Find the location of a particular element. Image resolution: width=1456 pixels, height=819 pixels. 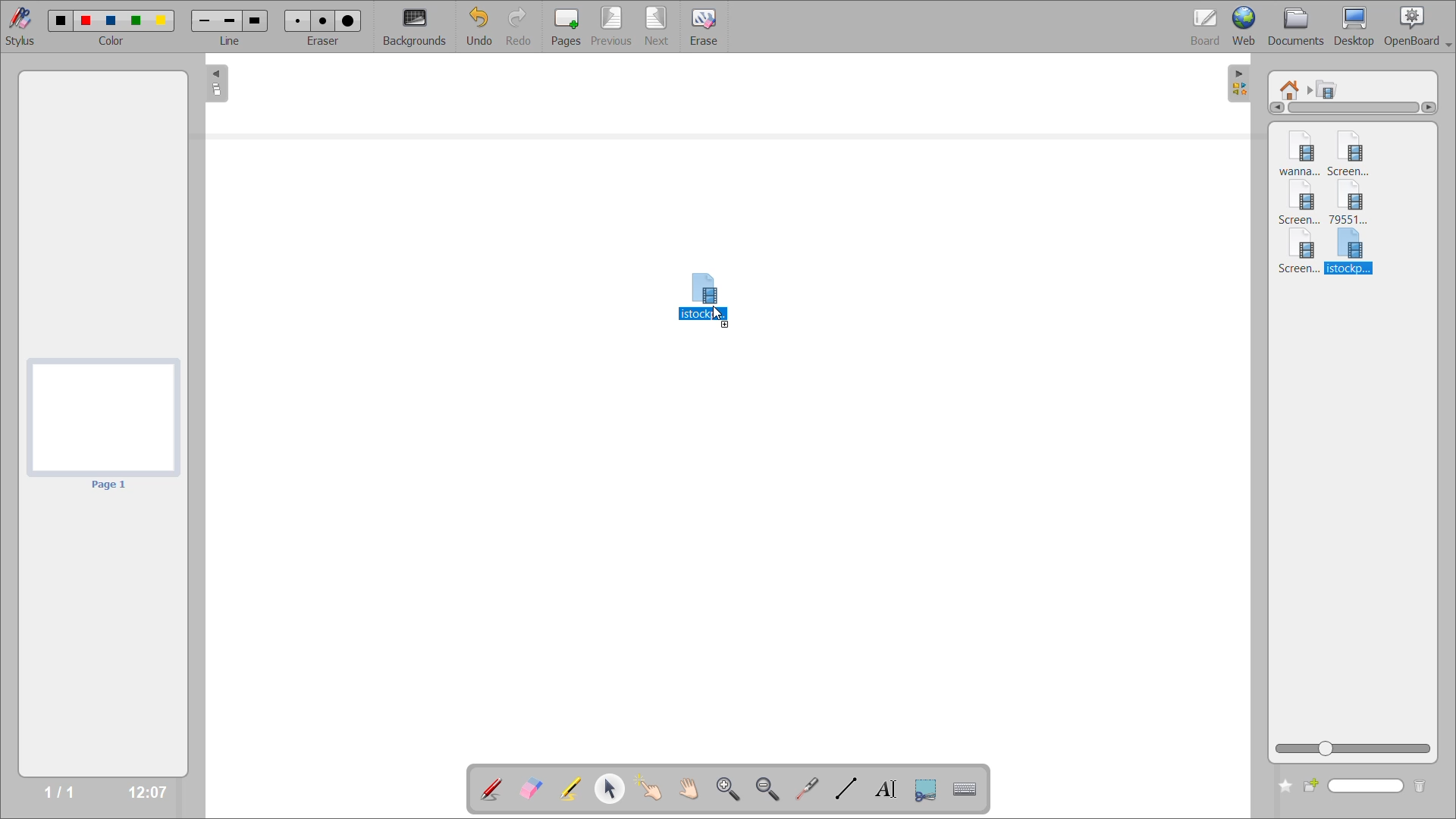

color 3 is located at coordinates (114, 22).